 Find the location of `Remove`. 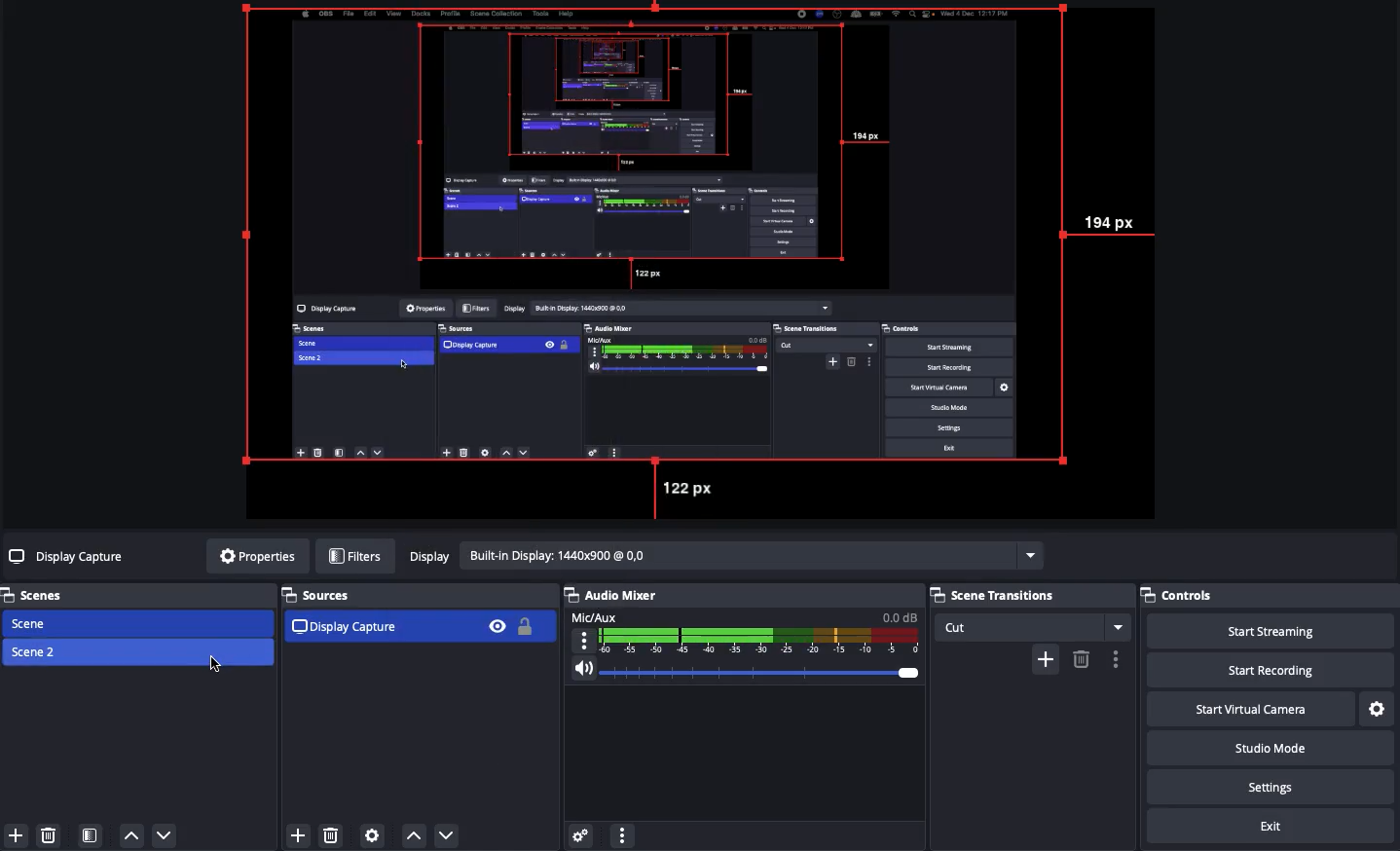

Remove is located at coordinates (48, 833).